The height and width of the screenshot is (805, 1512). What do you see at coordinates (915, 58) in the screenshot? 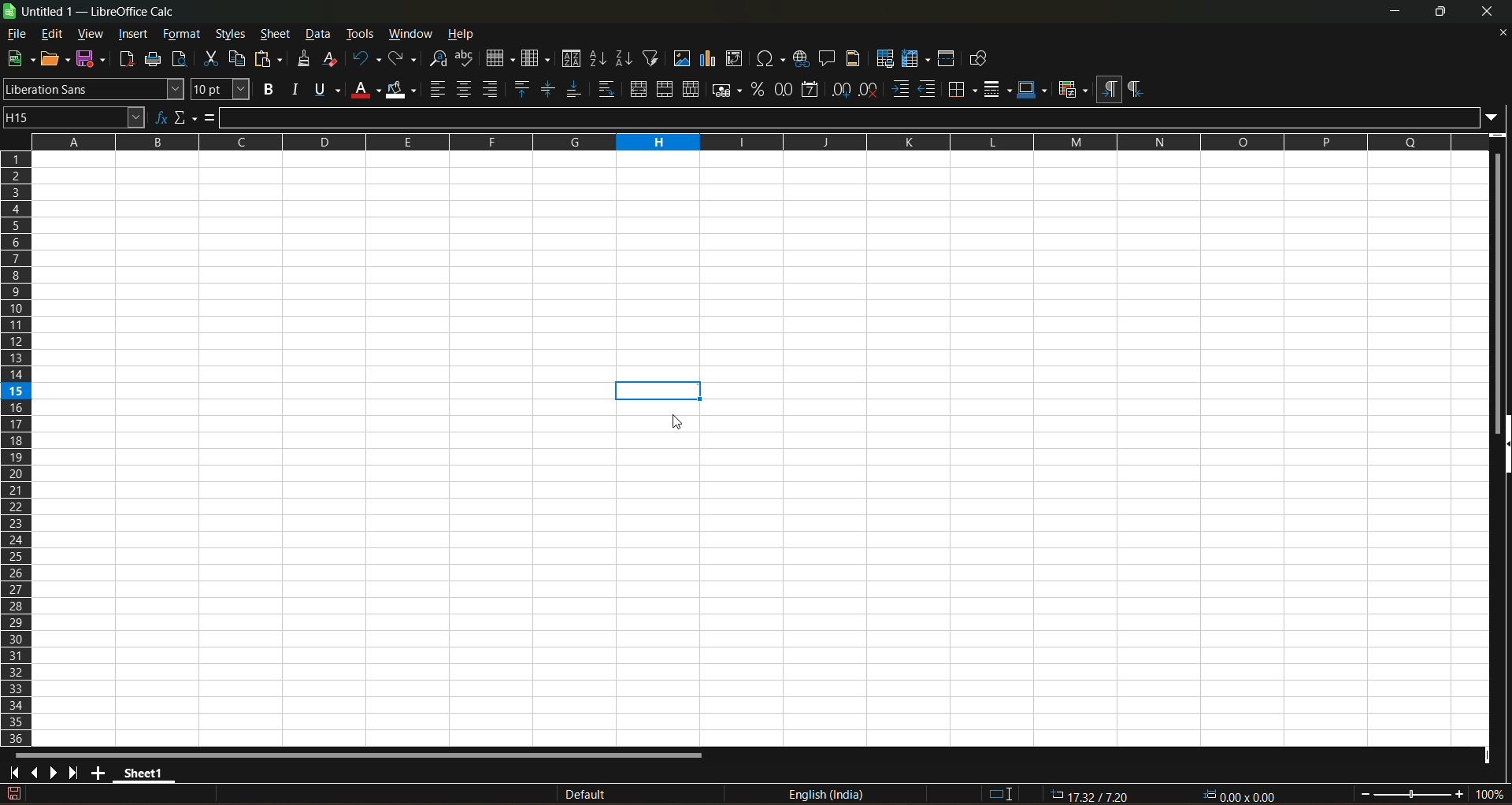
I see `freeze rows and columns` at bounding box center [915, 58].